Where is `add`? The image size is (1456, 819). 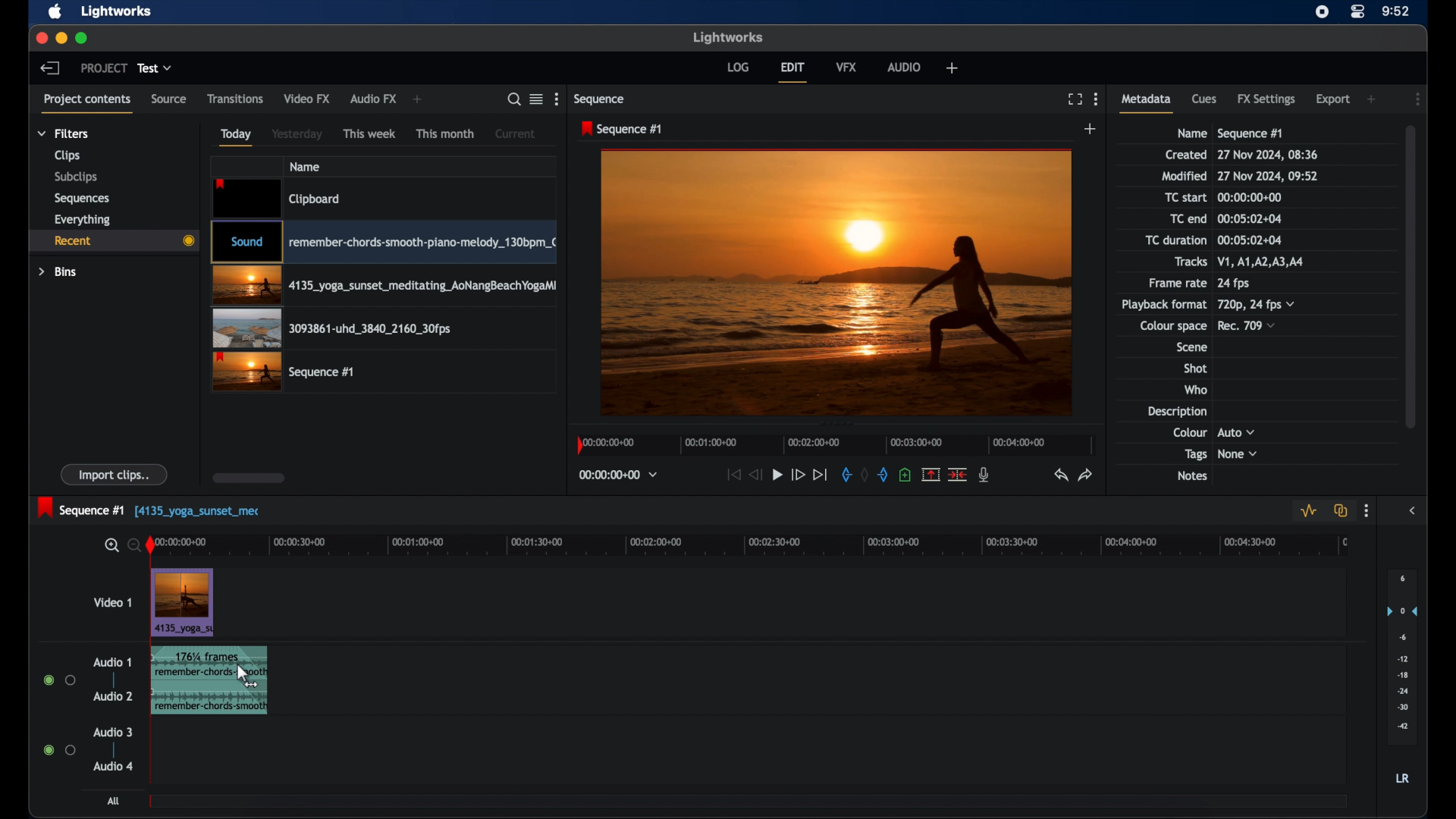
add is located at coordinates (952, 68).